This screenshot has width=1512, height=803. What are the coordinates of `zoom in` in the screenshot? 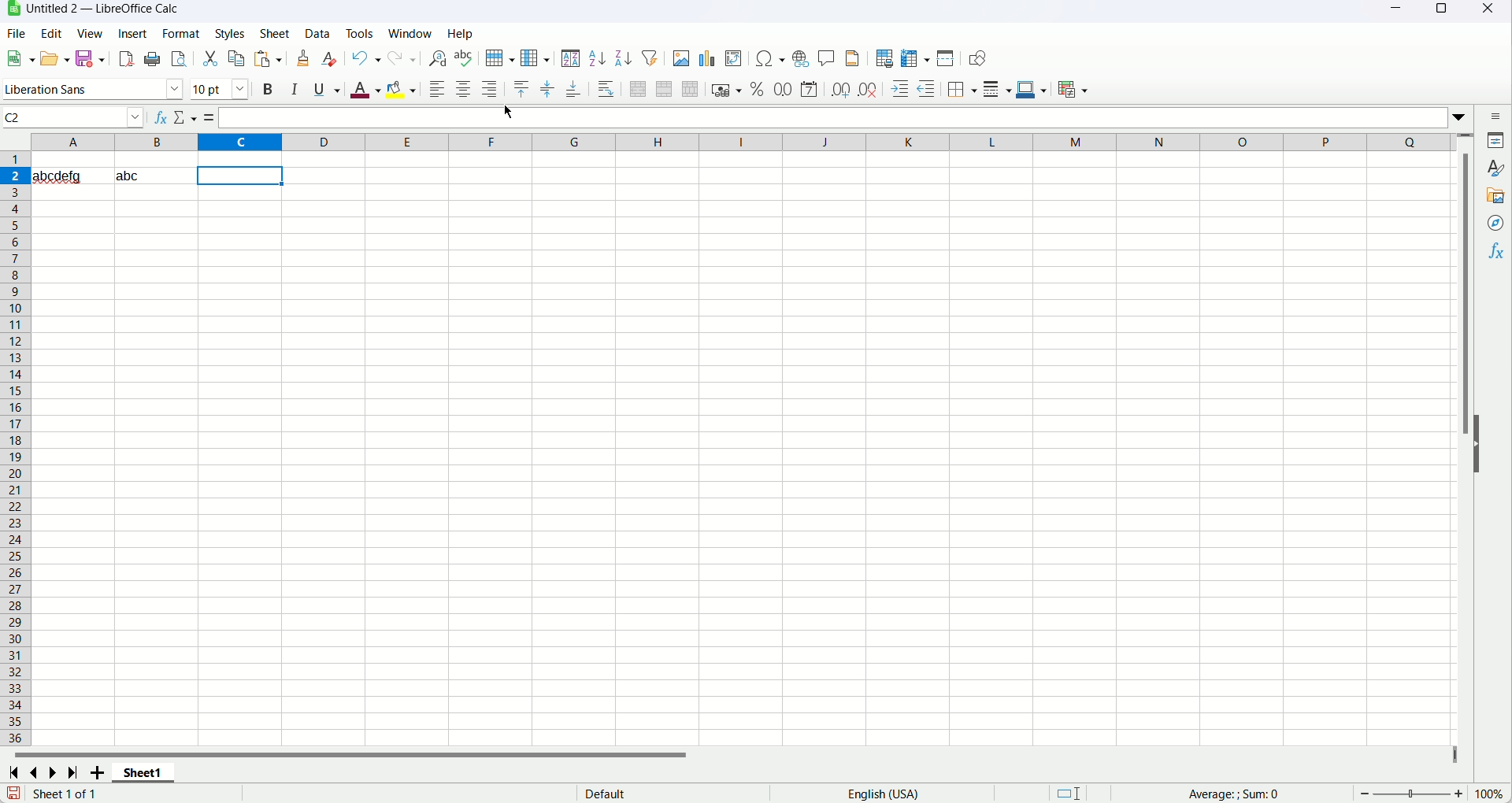 It's located at (1459, 794).